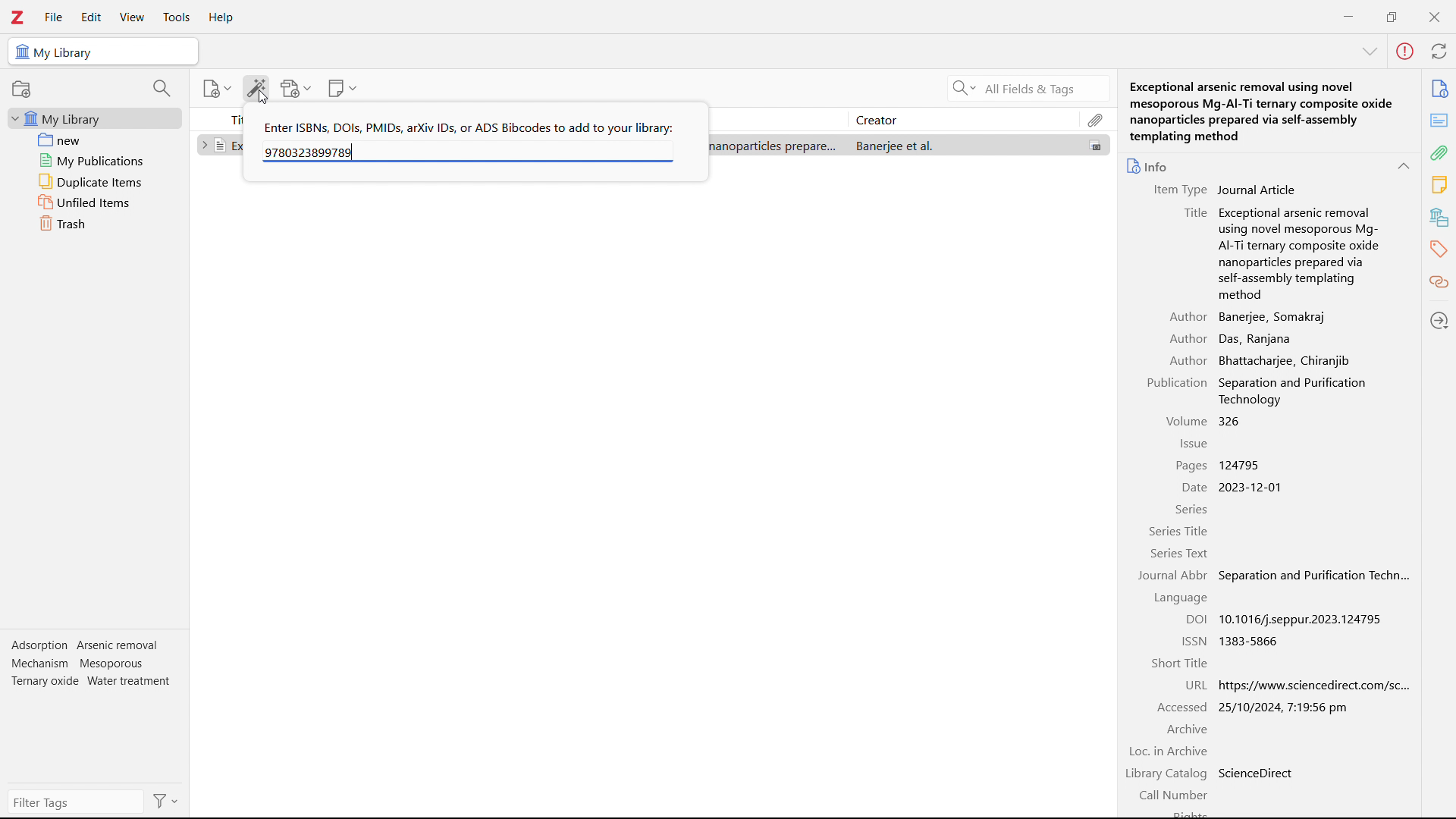 The height and width of the screenshot is (819, 1456). What do you see at coordinates (1188, 339) in the screenshot?
I see `author` at bounding box center [1188, 339].